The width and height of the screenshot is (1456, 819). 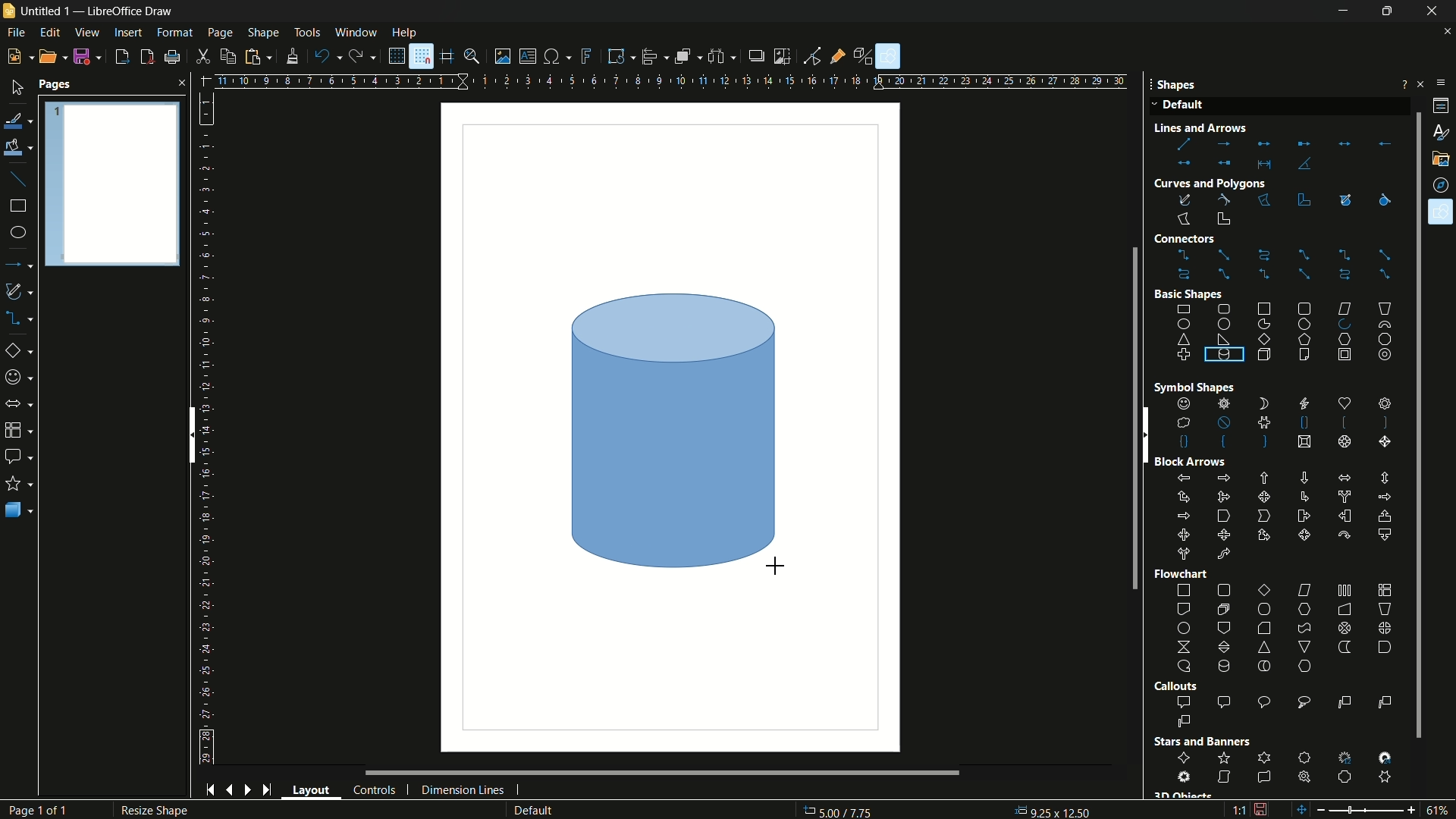 What do you see at coordinates (403, 33) in the screenshot?
I see `help menu` at bounding box center [403, 33].